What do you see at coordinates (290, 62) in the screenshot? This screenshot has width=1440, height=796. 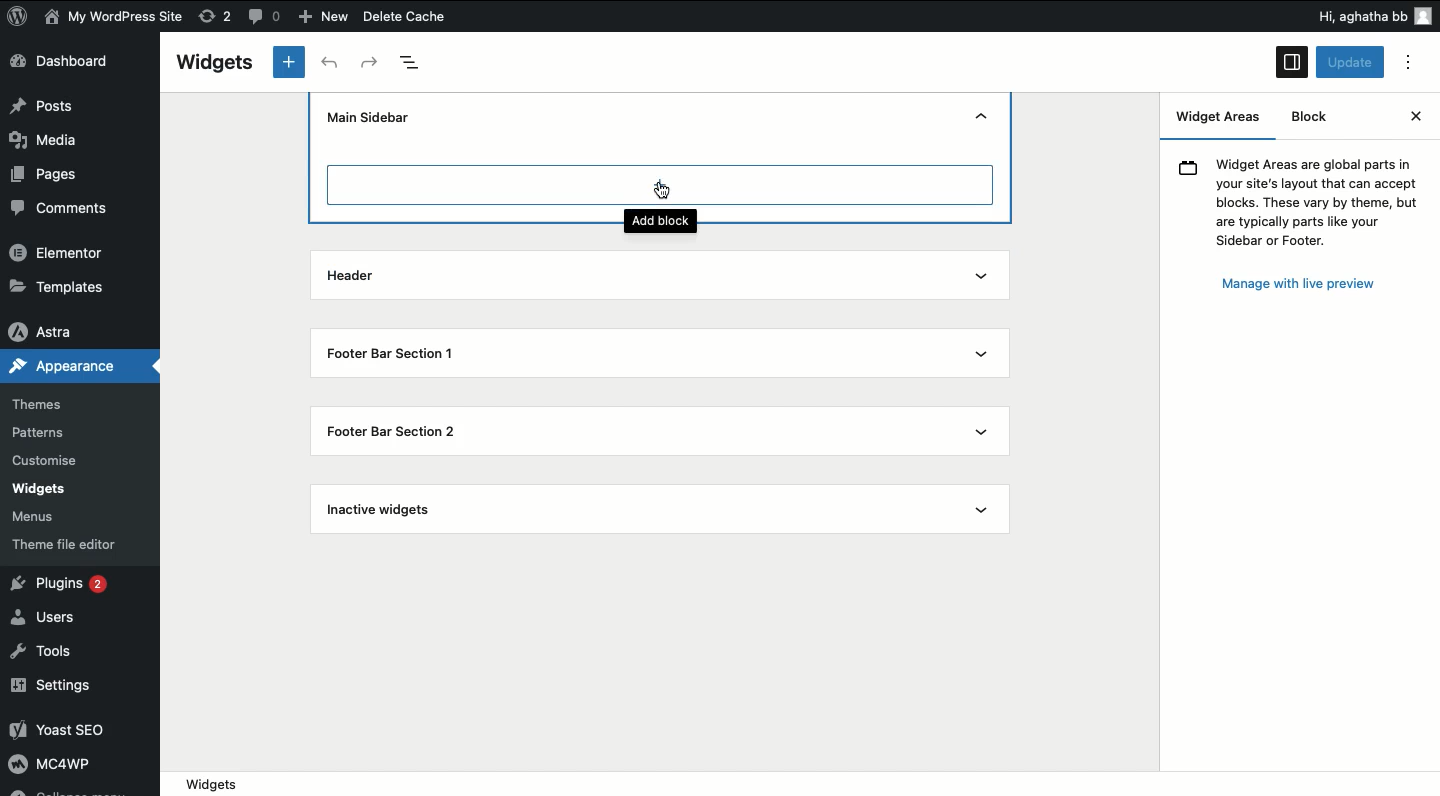 I see `New tab` at bounding box center [290, 62].